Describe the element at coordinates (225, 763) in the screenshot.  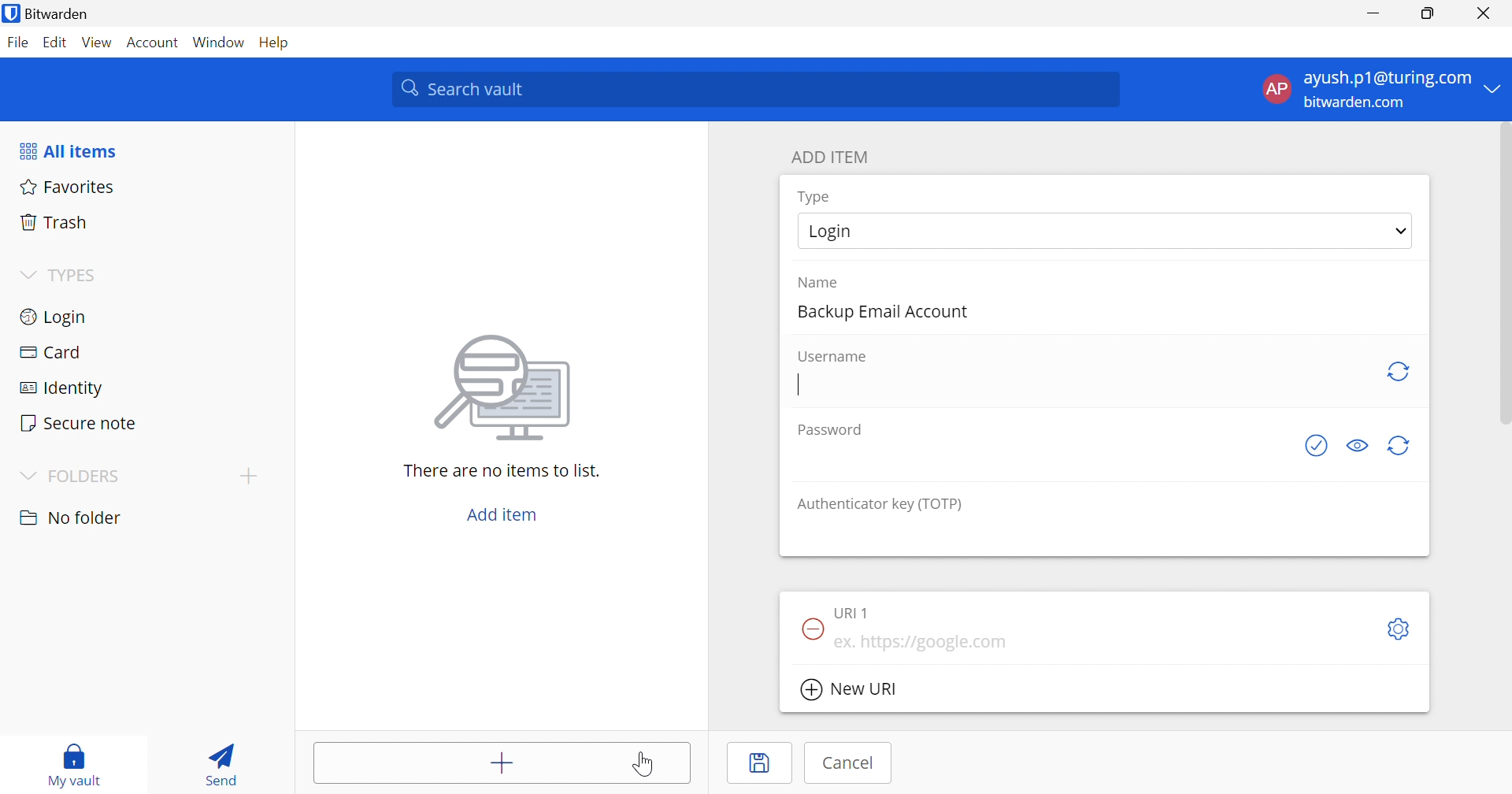
I see `Send` at that location.